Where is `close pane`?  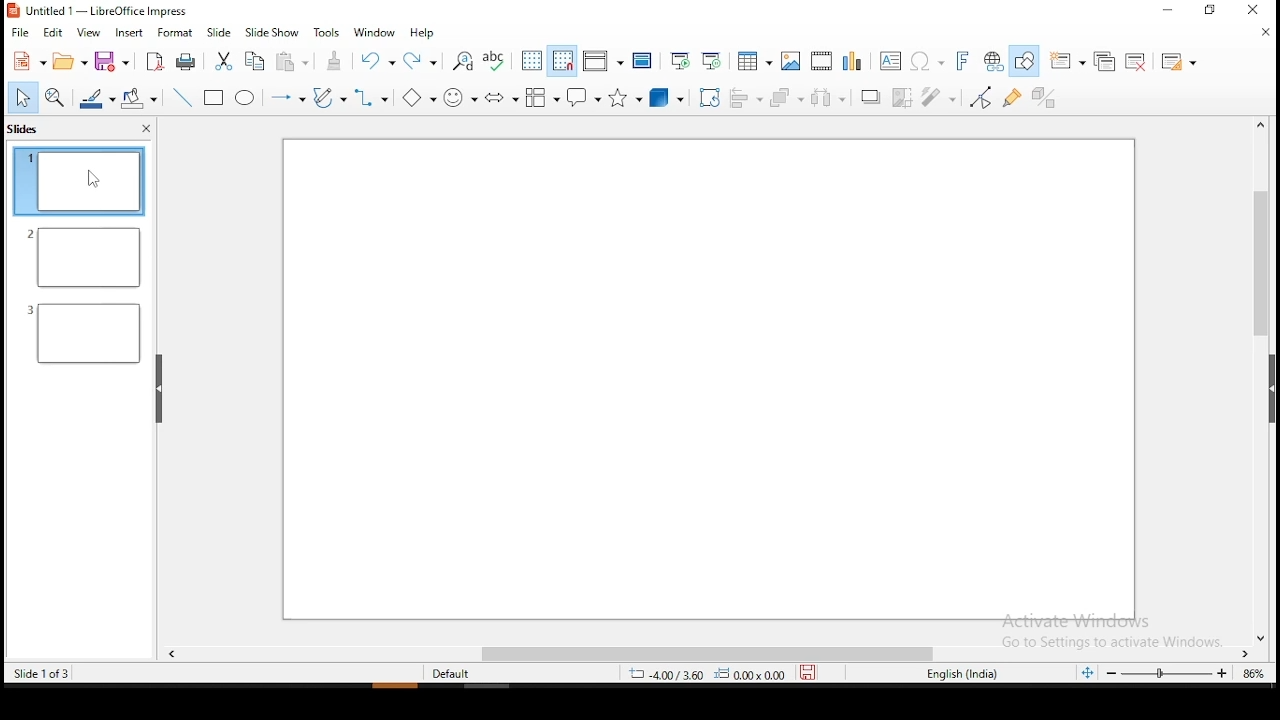 close pane is located at coordinates (146, 129).